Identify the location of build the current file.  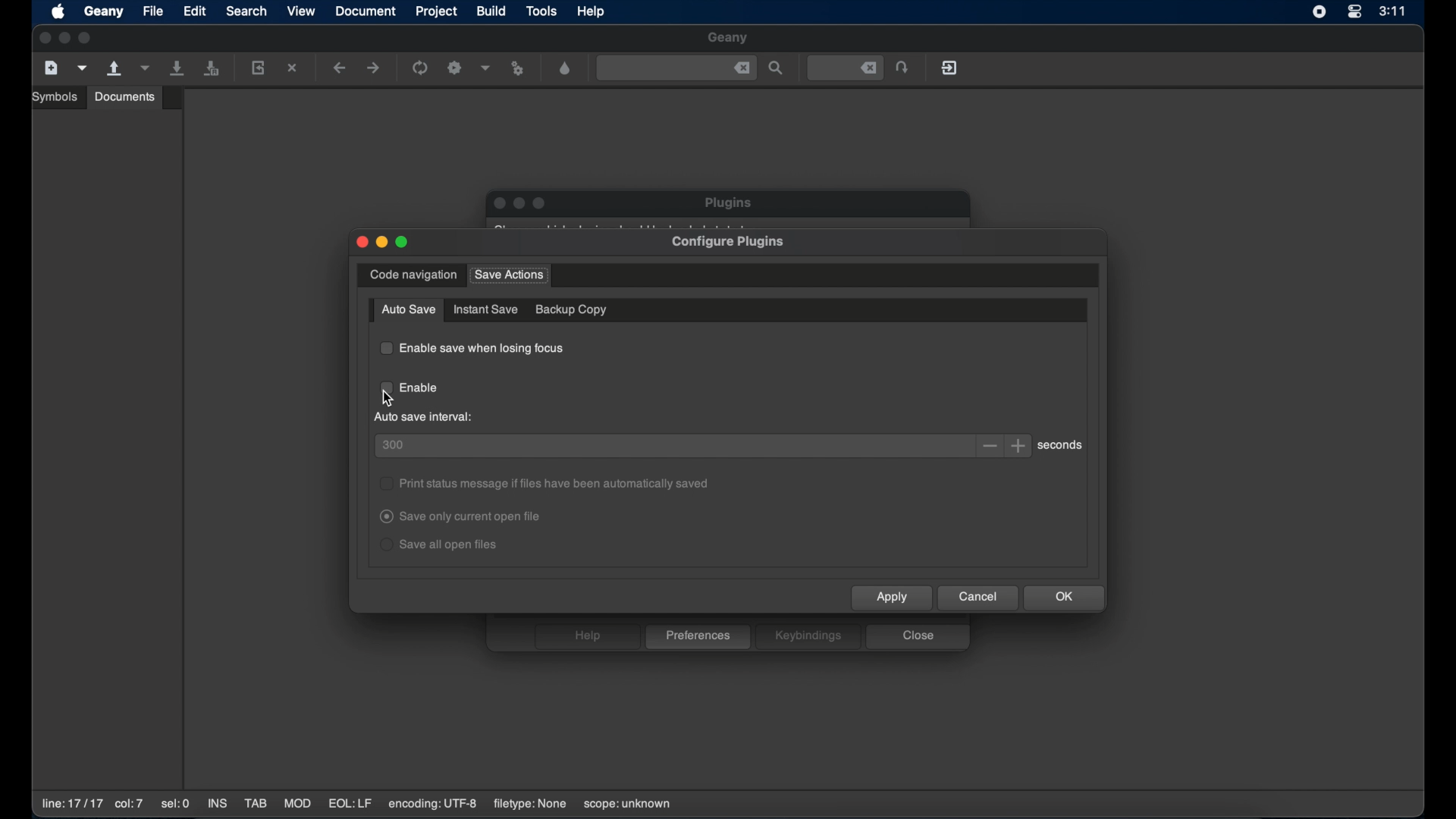
(457, 69).